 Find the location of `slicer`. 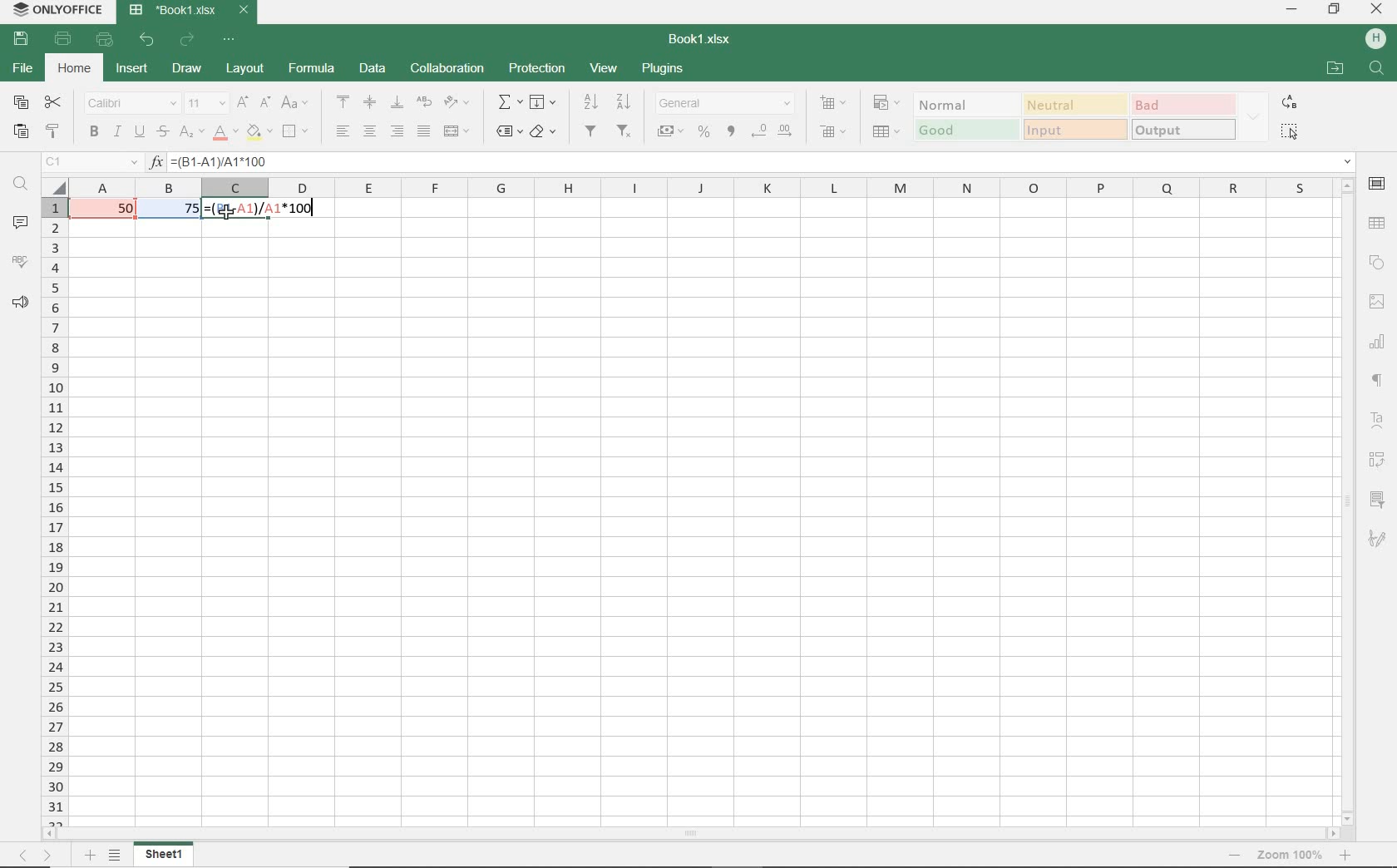

slicer is located at coordinates (1380, 499).